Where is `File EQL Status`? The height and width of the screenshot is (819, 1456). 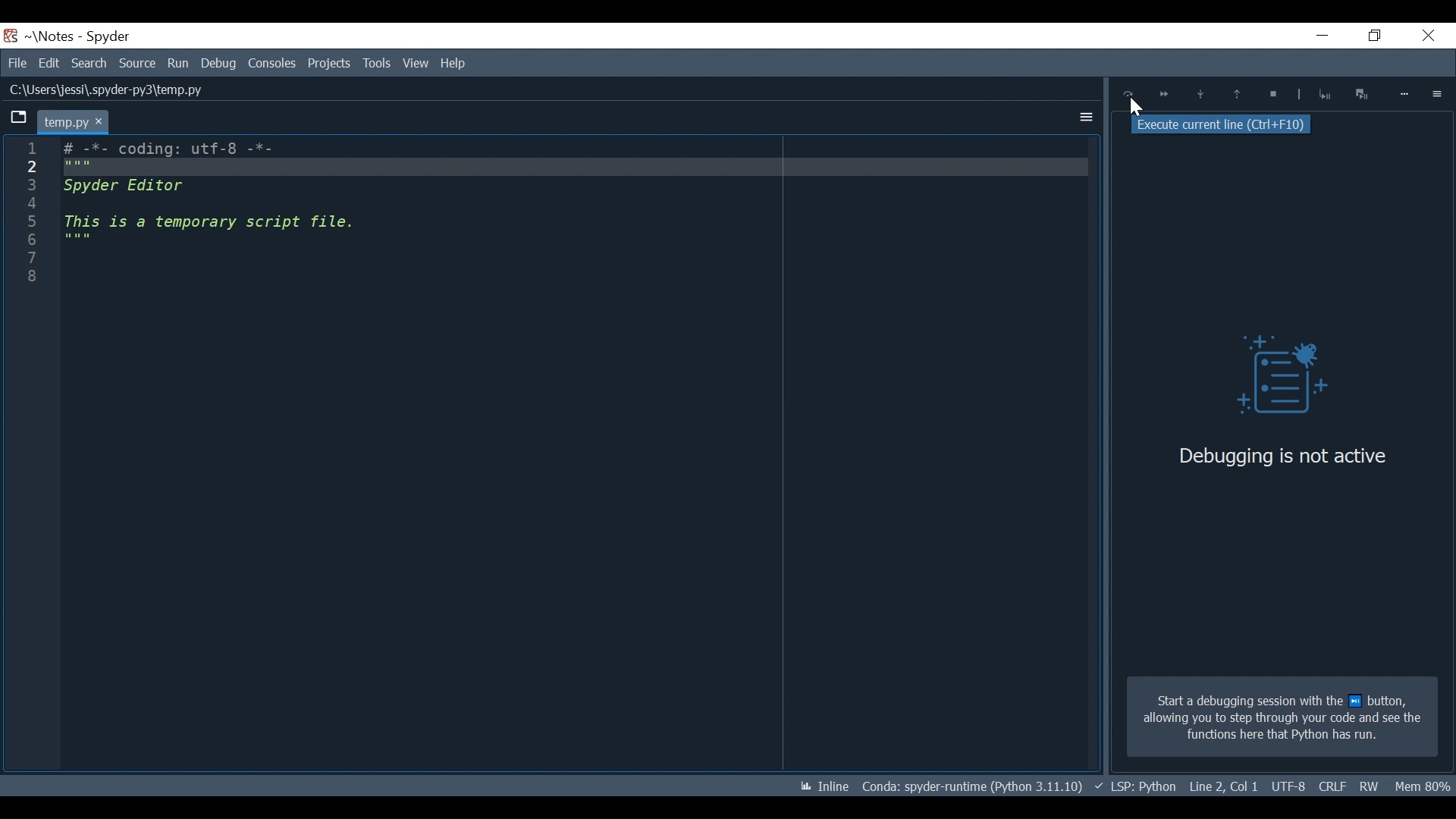
File EQL Status is located at coordinates (1224, 786).